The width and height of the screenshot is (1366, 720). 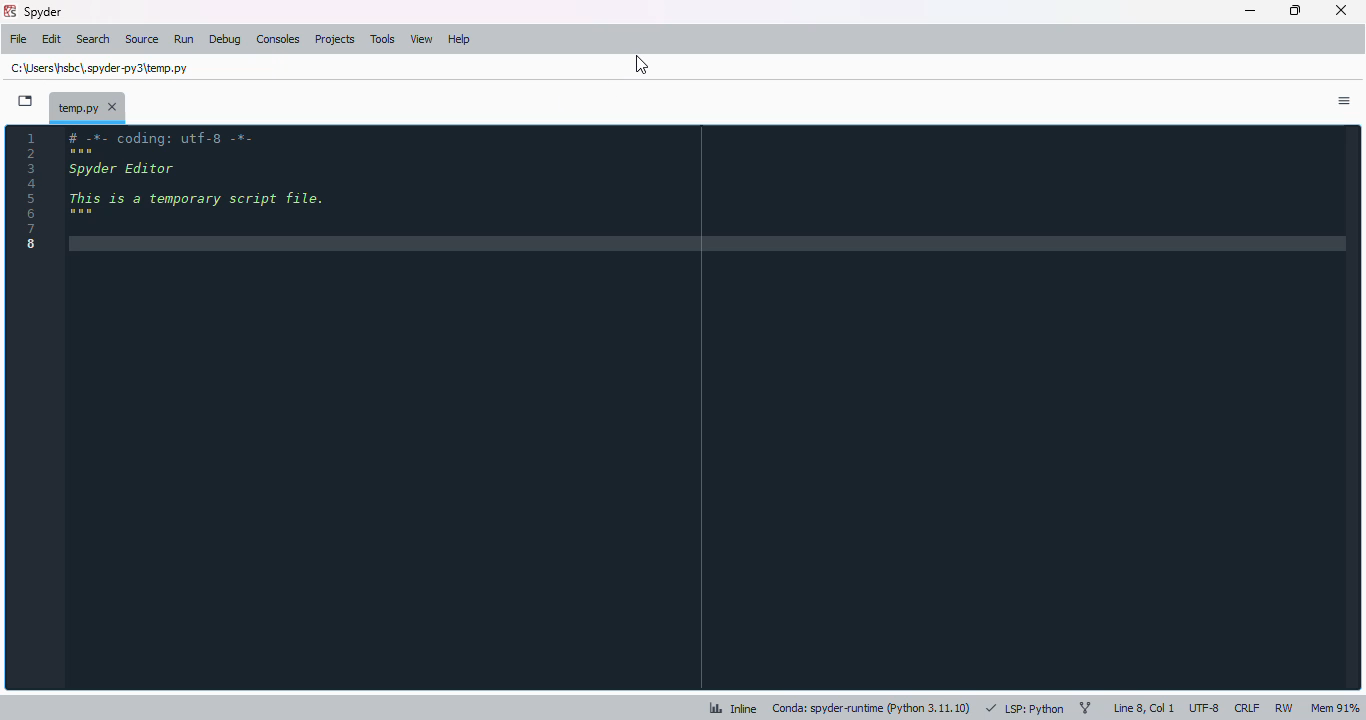 What do you see at coordinates (44, 12) in the screenshot?
I see `spyder` at bounding box center [44, 12].